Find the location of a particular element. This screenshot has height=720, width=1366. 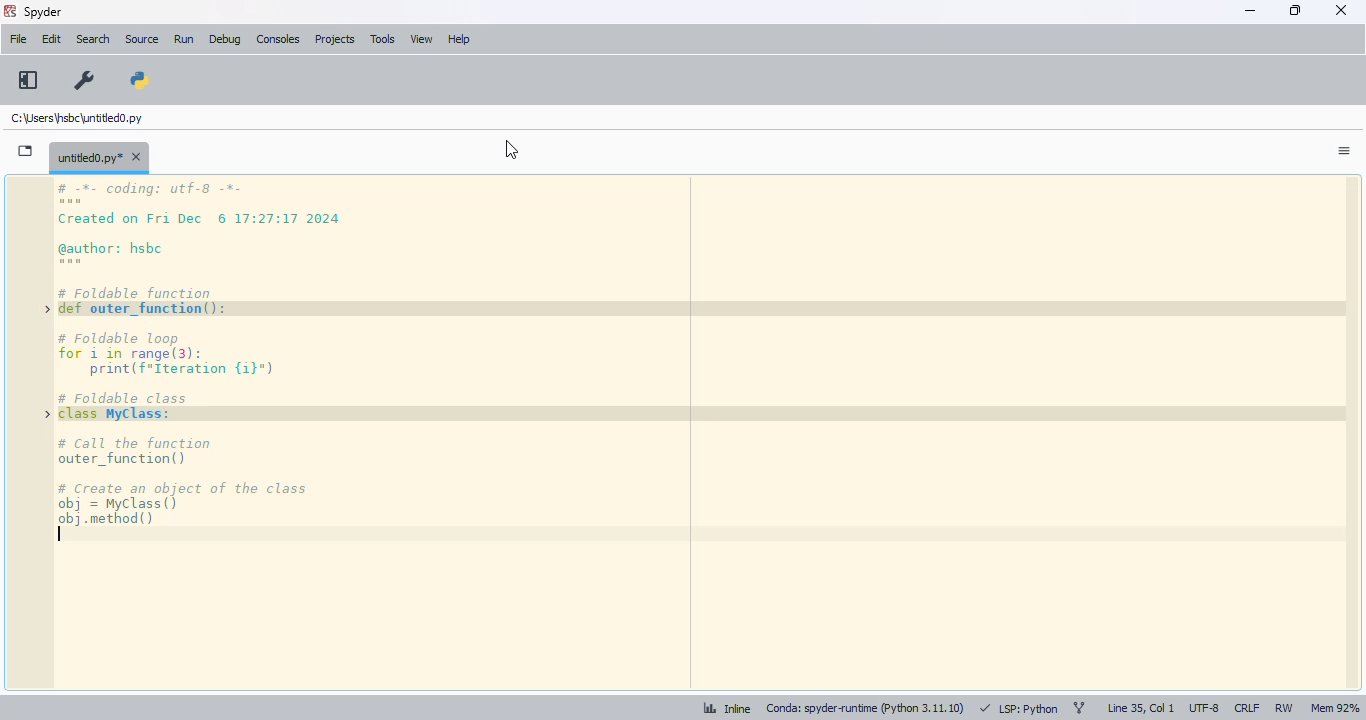

Line 35, col 1 is located at coordinates (1141, 709).